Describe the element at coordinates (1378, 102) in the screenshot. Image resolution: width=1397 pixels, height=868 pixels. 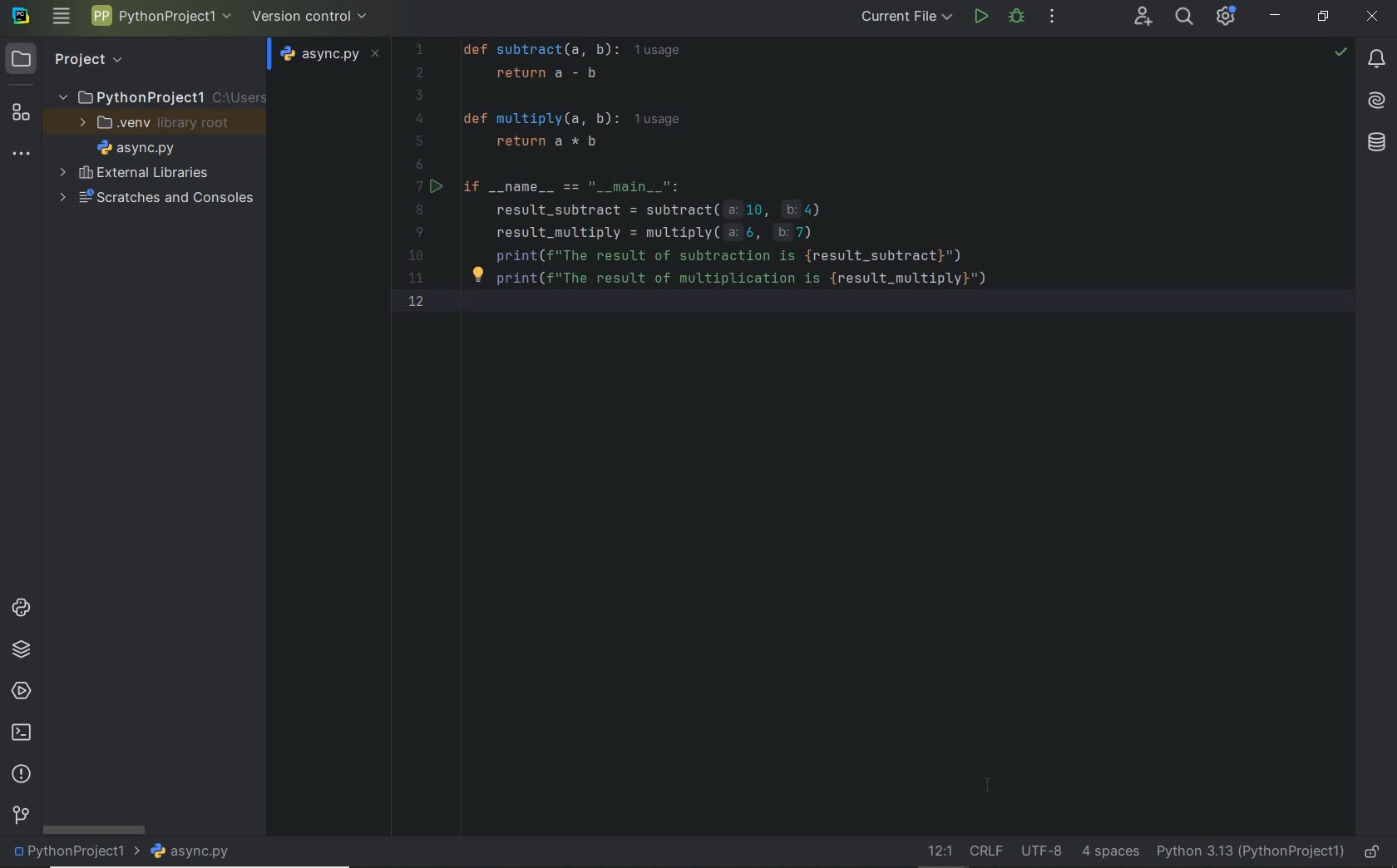
I see `AI Assistant` at that location.